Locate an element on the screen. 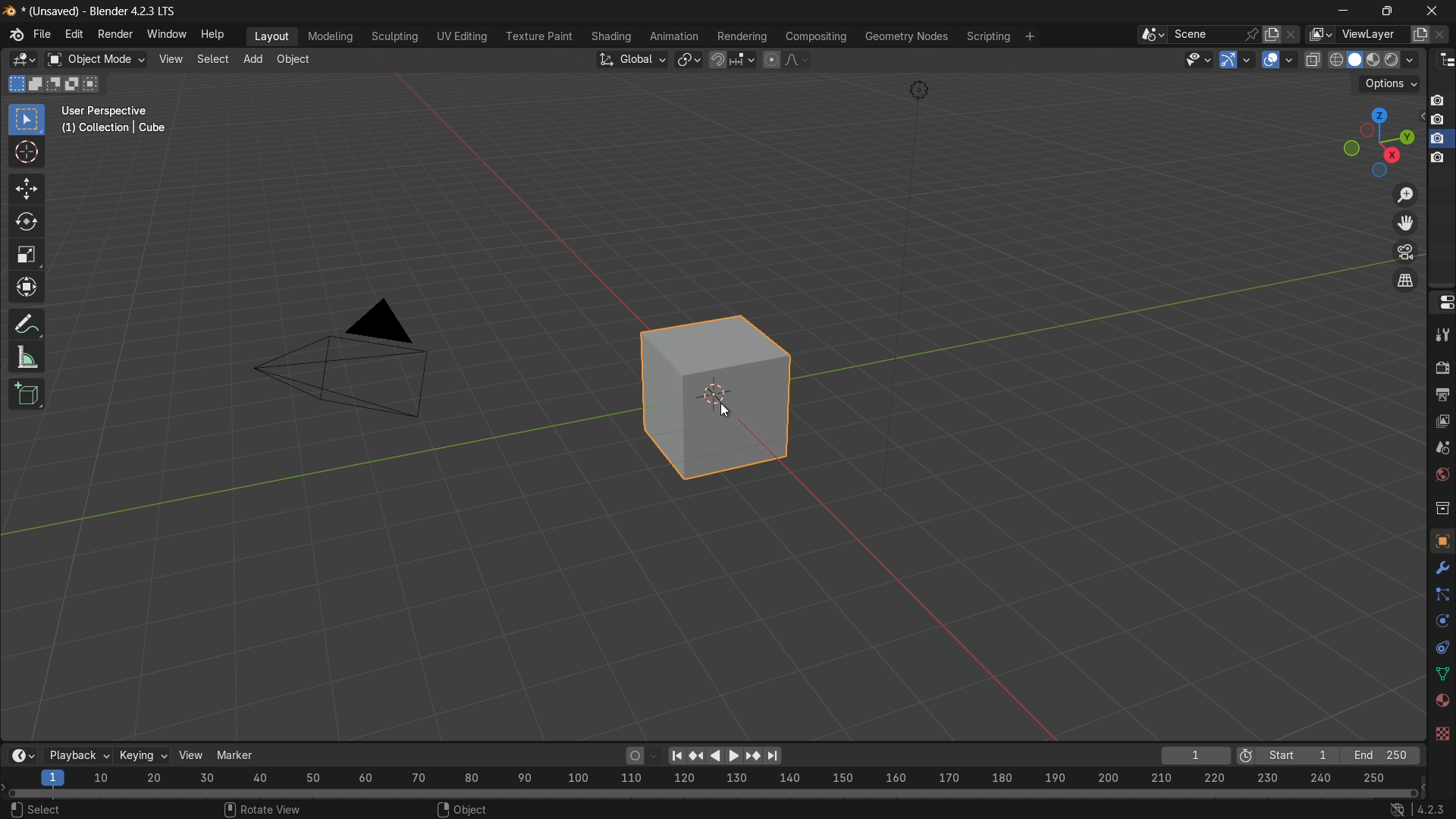 Image resolution: width=1456 pixels, height=819 pixels. Icon4 is located at coordinates (1439, 161).